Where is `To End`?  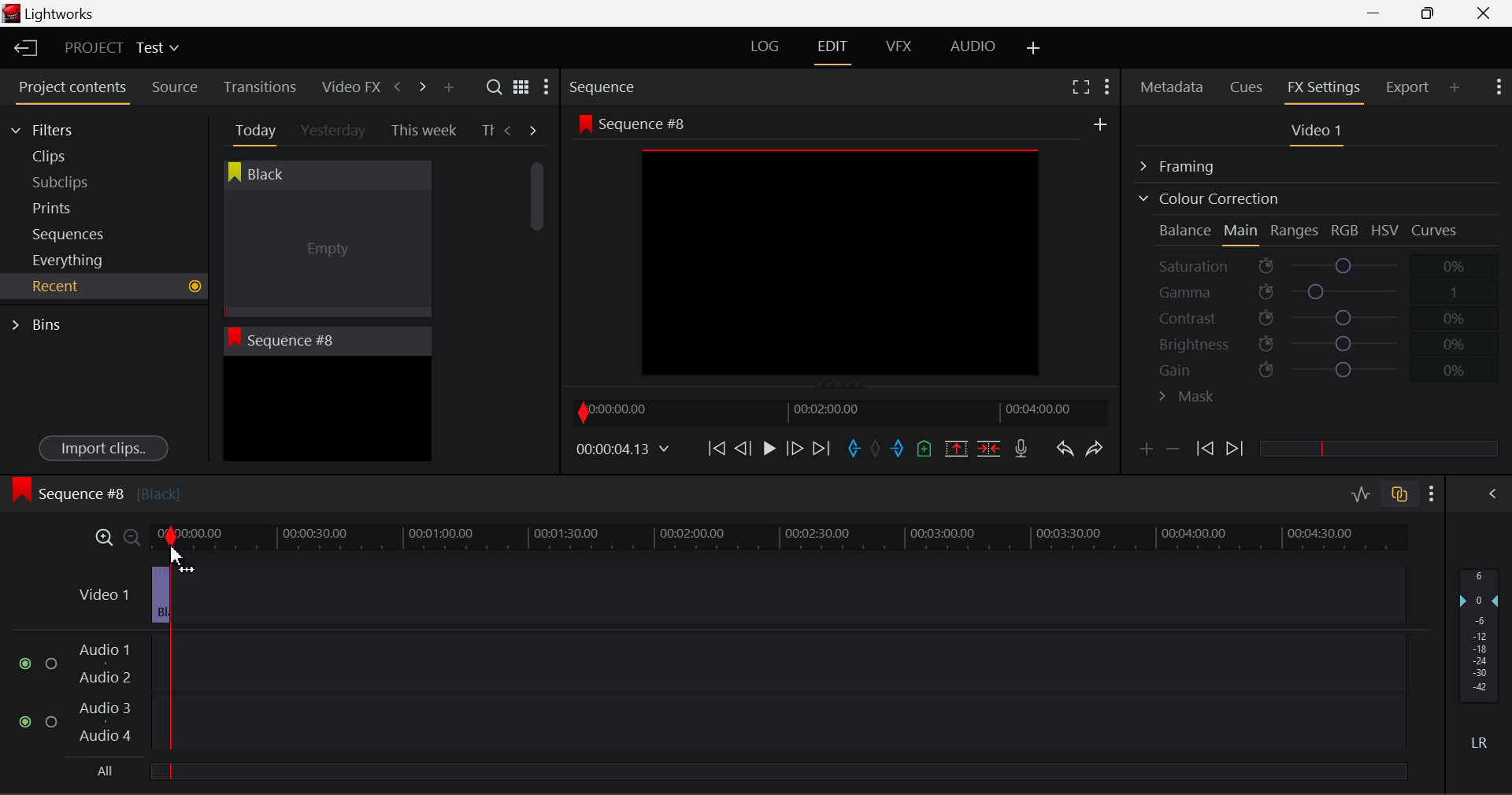
To End is located at coordinates (821, 449).